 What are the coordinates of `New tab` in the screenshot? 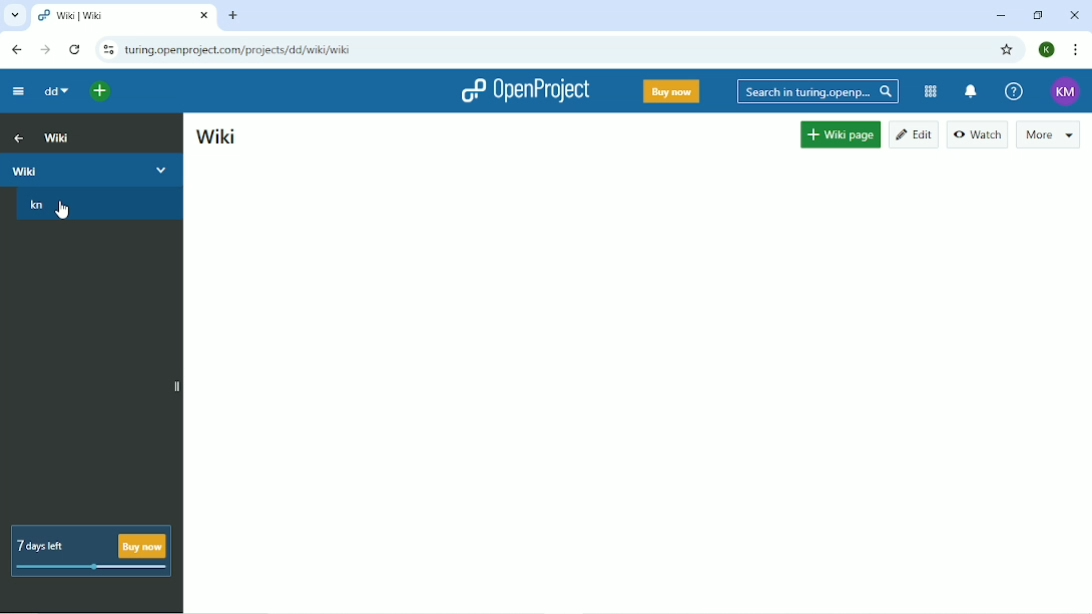 It's located at (233, 15).